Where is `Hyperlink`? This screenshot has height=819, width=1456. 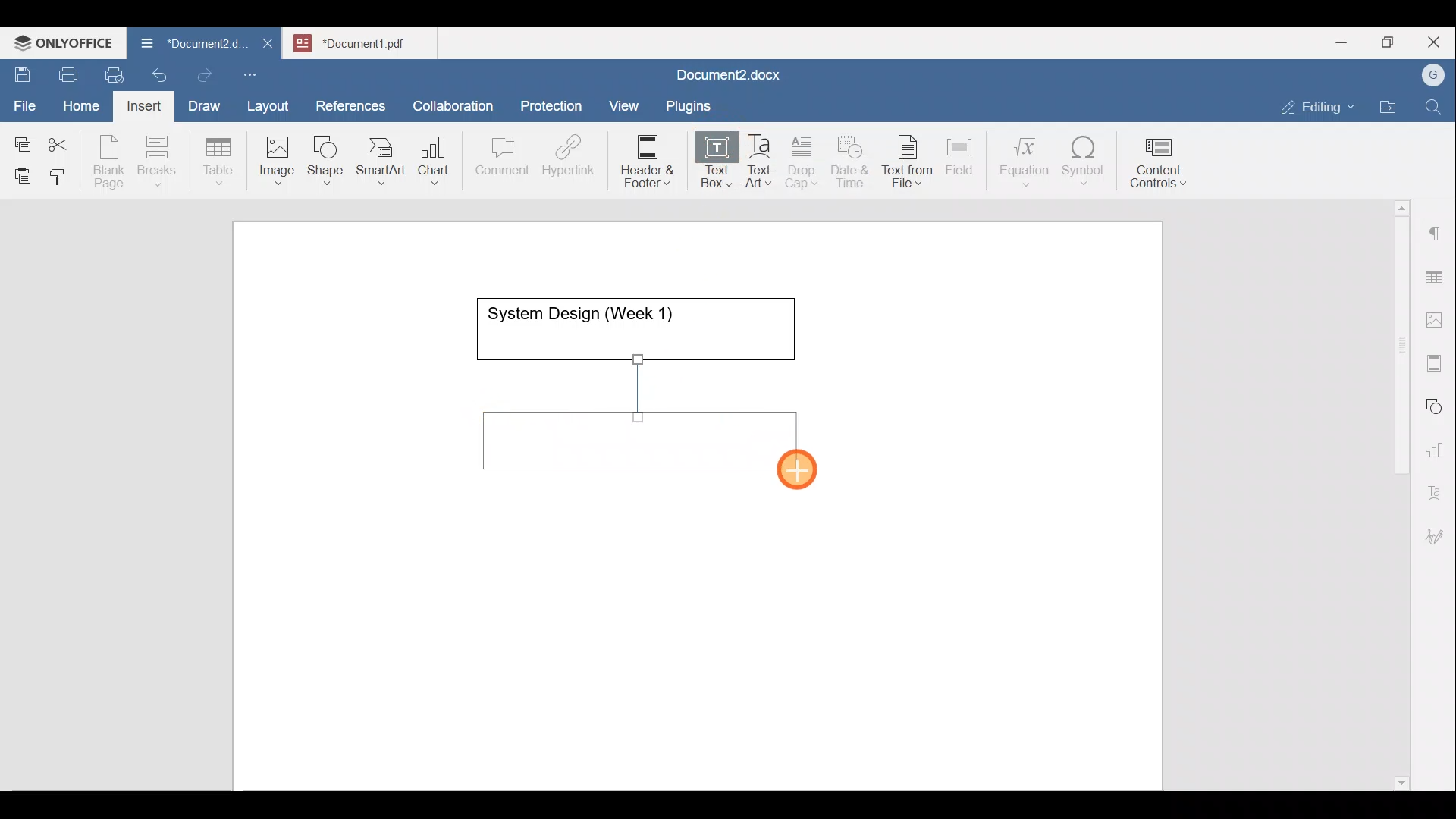 Hyperlink is located at coordinates (573, 160).